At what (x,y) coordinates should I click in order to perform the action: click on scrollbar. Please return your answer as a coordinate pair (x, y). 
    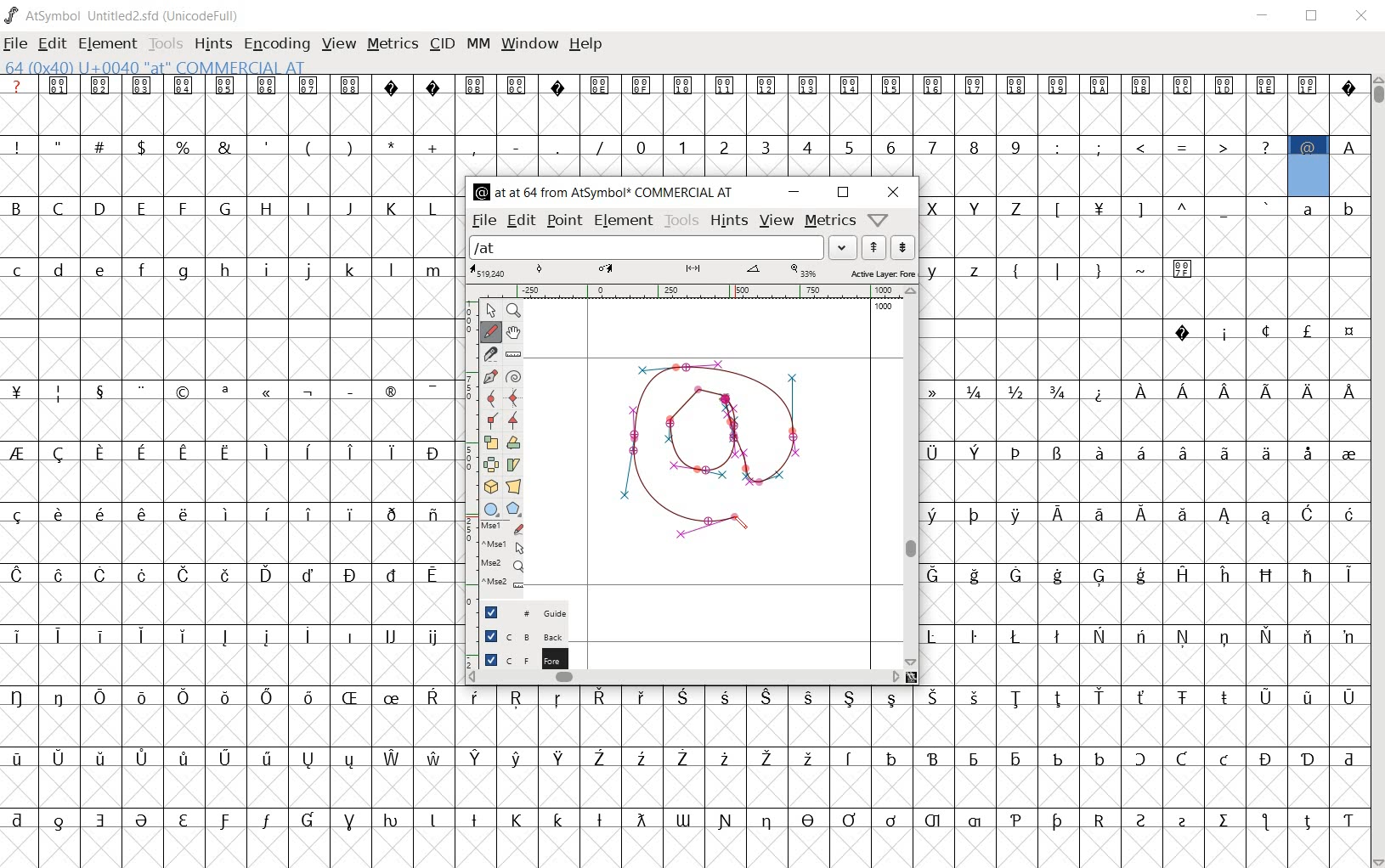
    Looking at the image, I should click on (911, 476).